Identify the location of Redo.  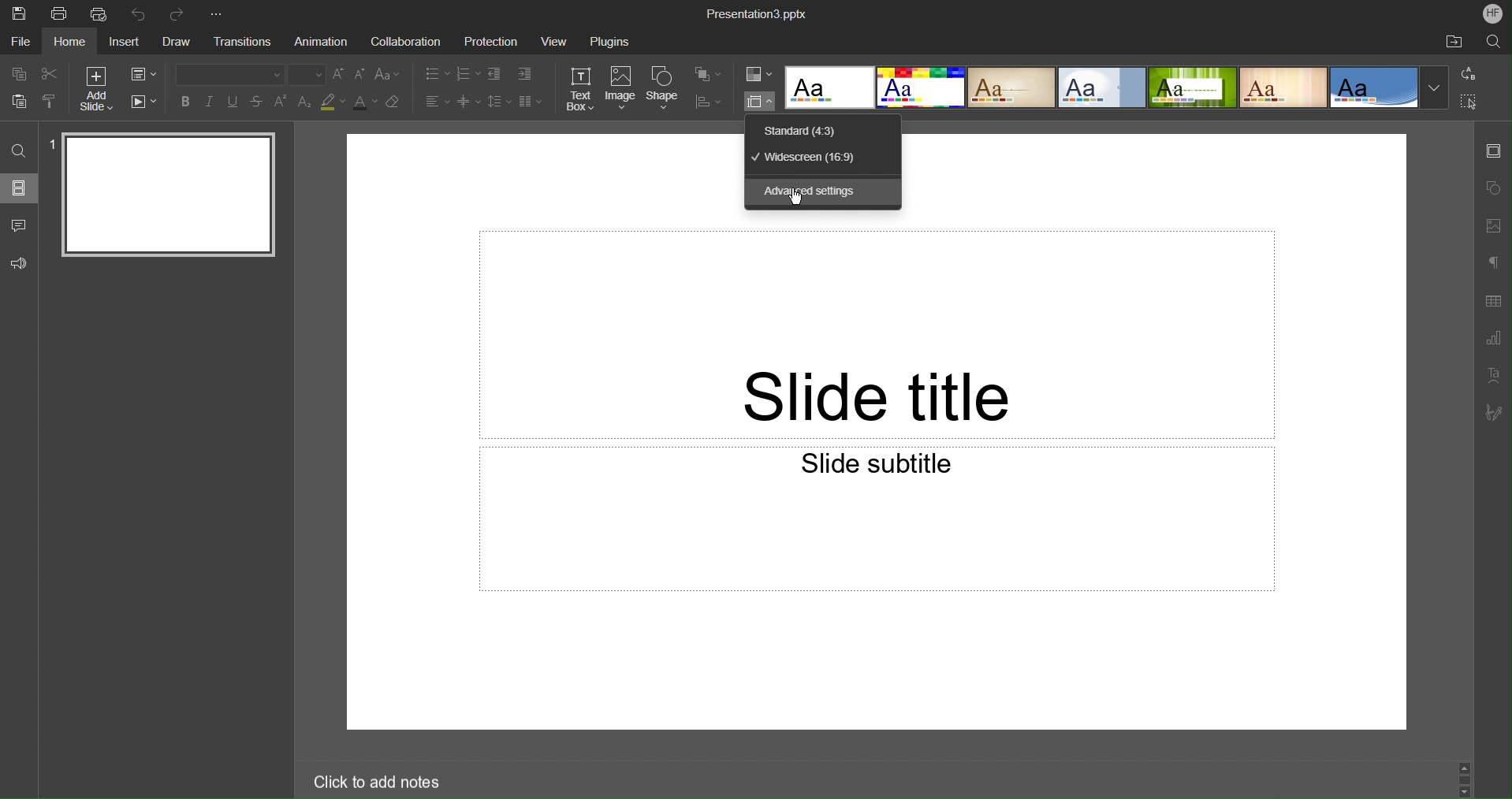
(181, 11).